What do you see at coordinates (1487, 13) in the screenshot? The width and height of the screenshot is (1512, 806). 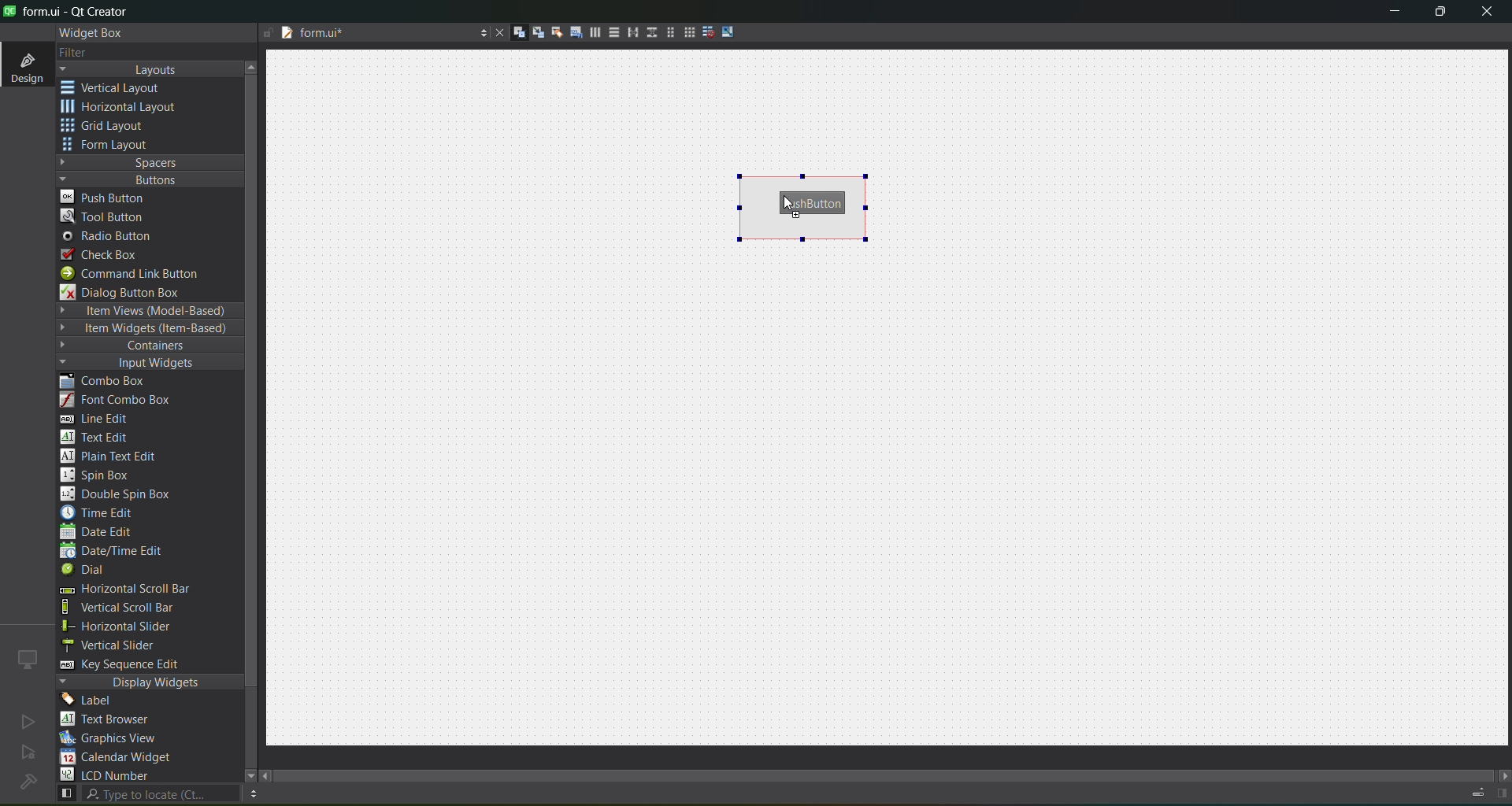 I see `close` at bounding box center [1487, 13].